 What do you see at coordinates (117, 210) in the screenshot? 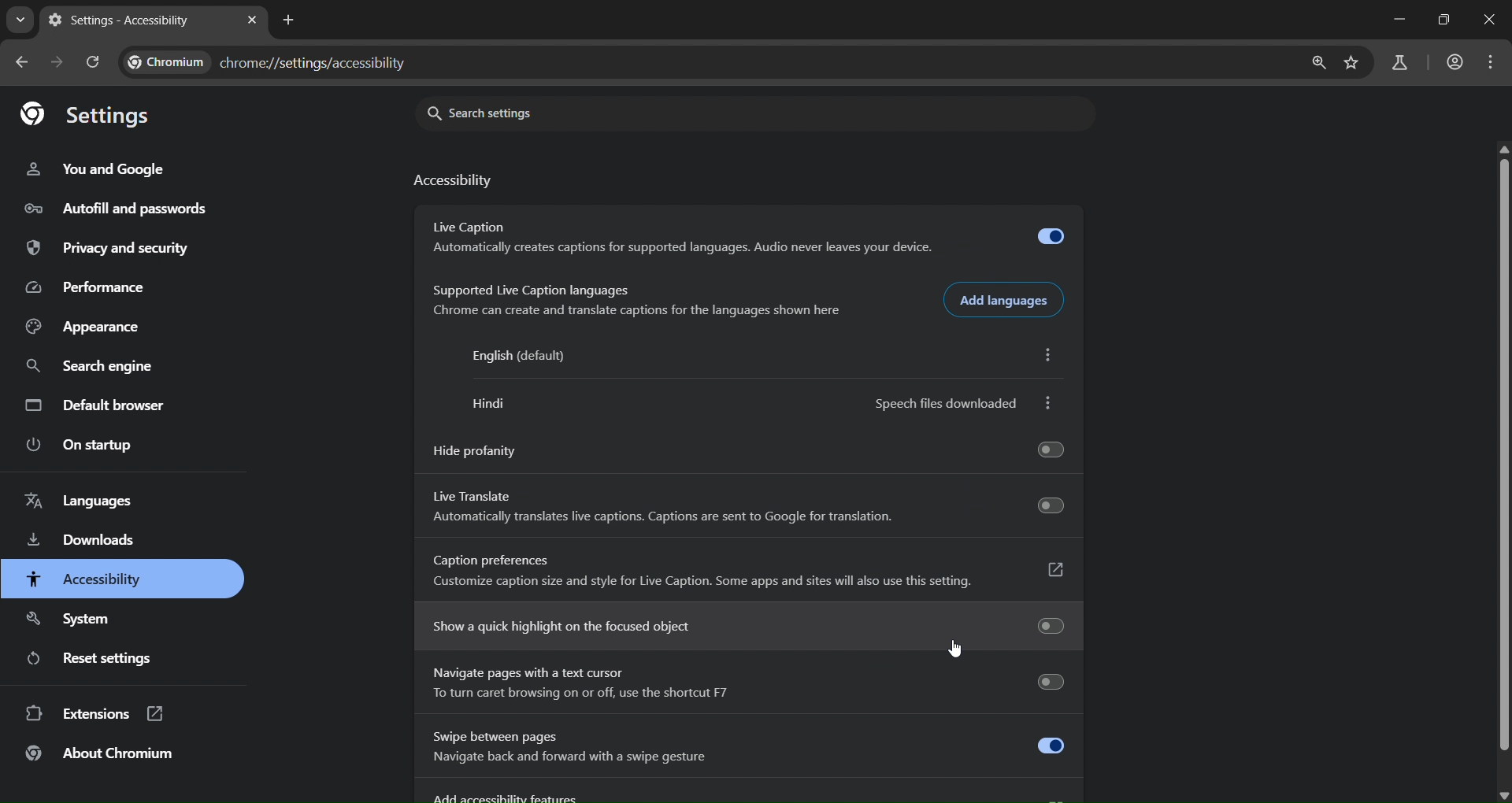
I see `autofill and passwords` at bounding box center [117, 210].